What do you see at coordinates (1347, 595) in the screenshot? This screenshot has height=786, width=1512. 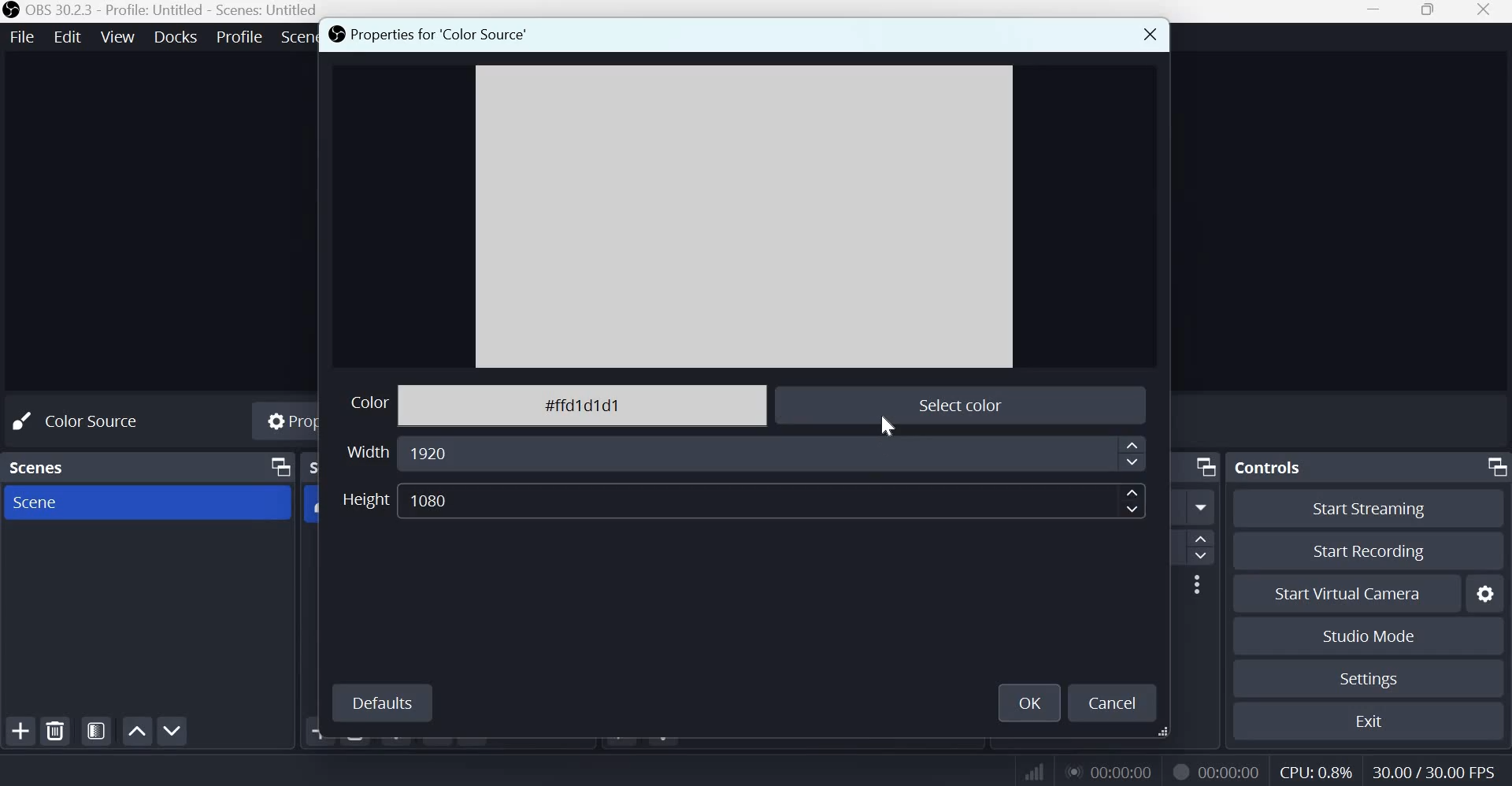 I see `Start Virual Camera` at bounding box center [1347, 595].